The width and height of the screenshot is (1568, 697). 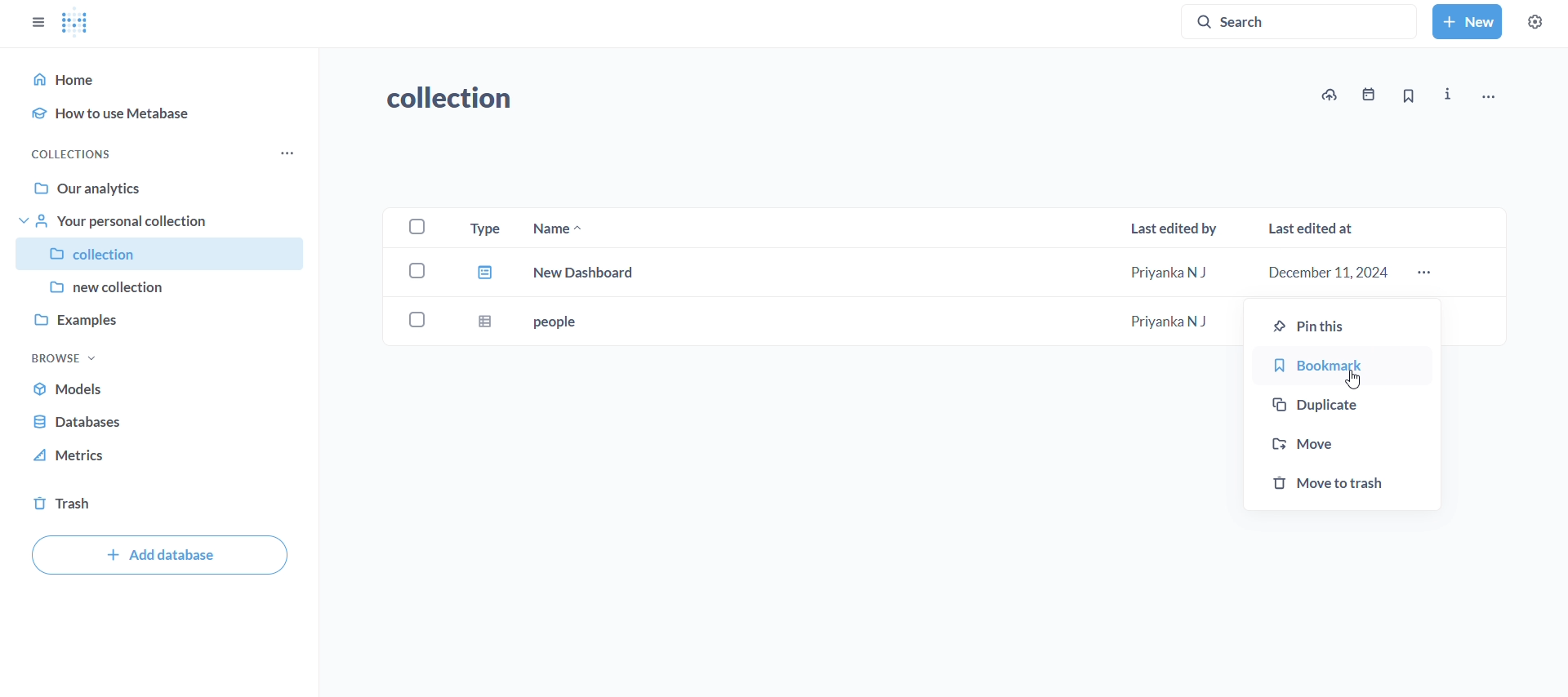 I want to click on checkboxes, so click(x=416, y=277).